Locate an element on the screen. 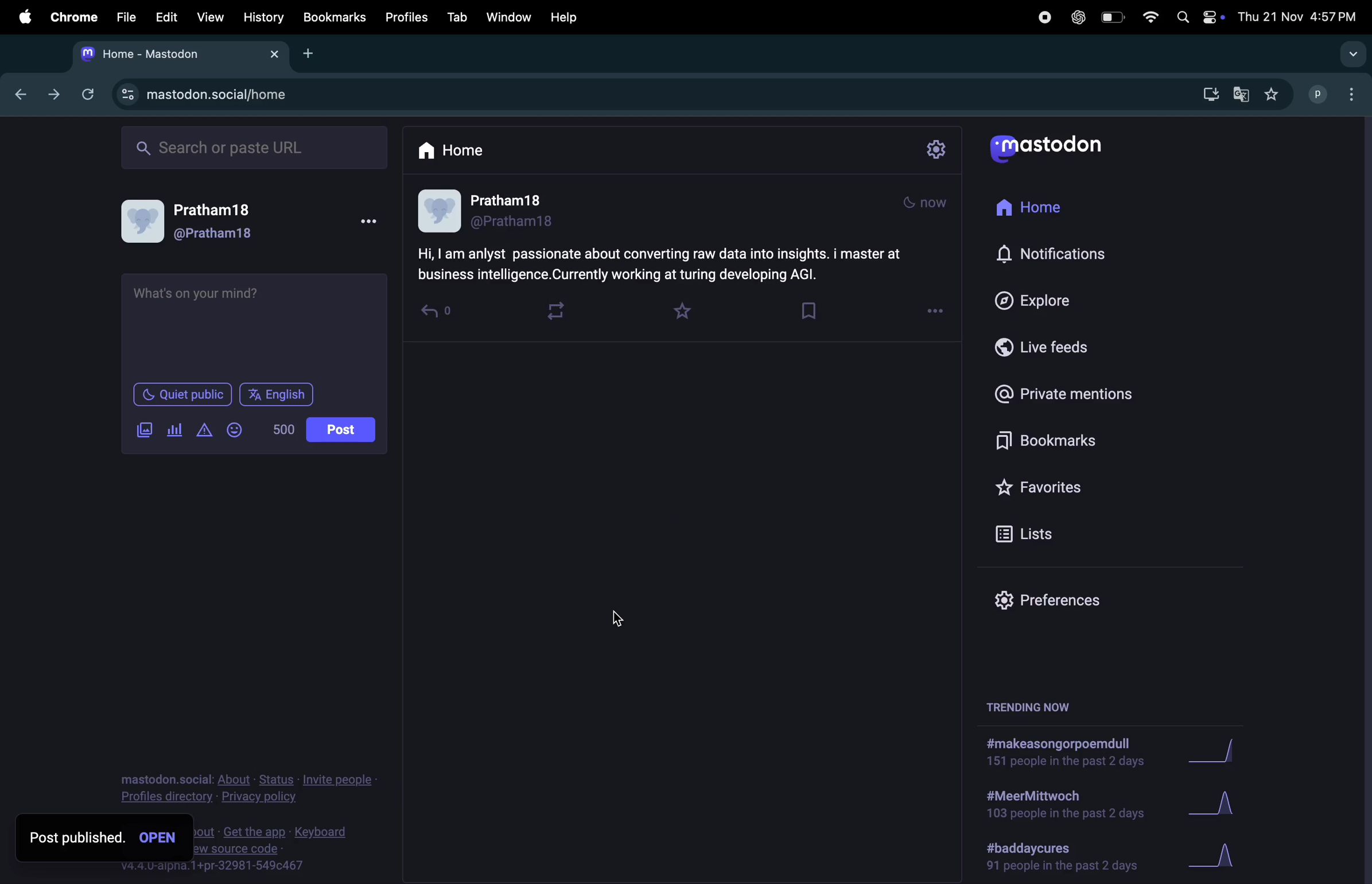 This screenshot has width=1372, height=884. bookmarks is located at coordinates (335, 18).